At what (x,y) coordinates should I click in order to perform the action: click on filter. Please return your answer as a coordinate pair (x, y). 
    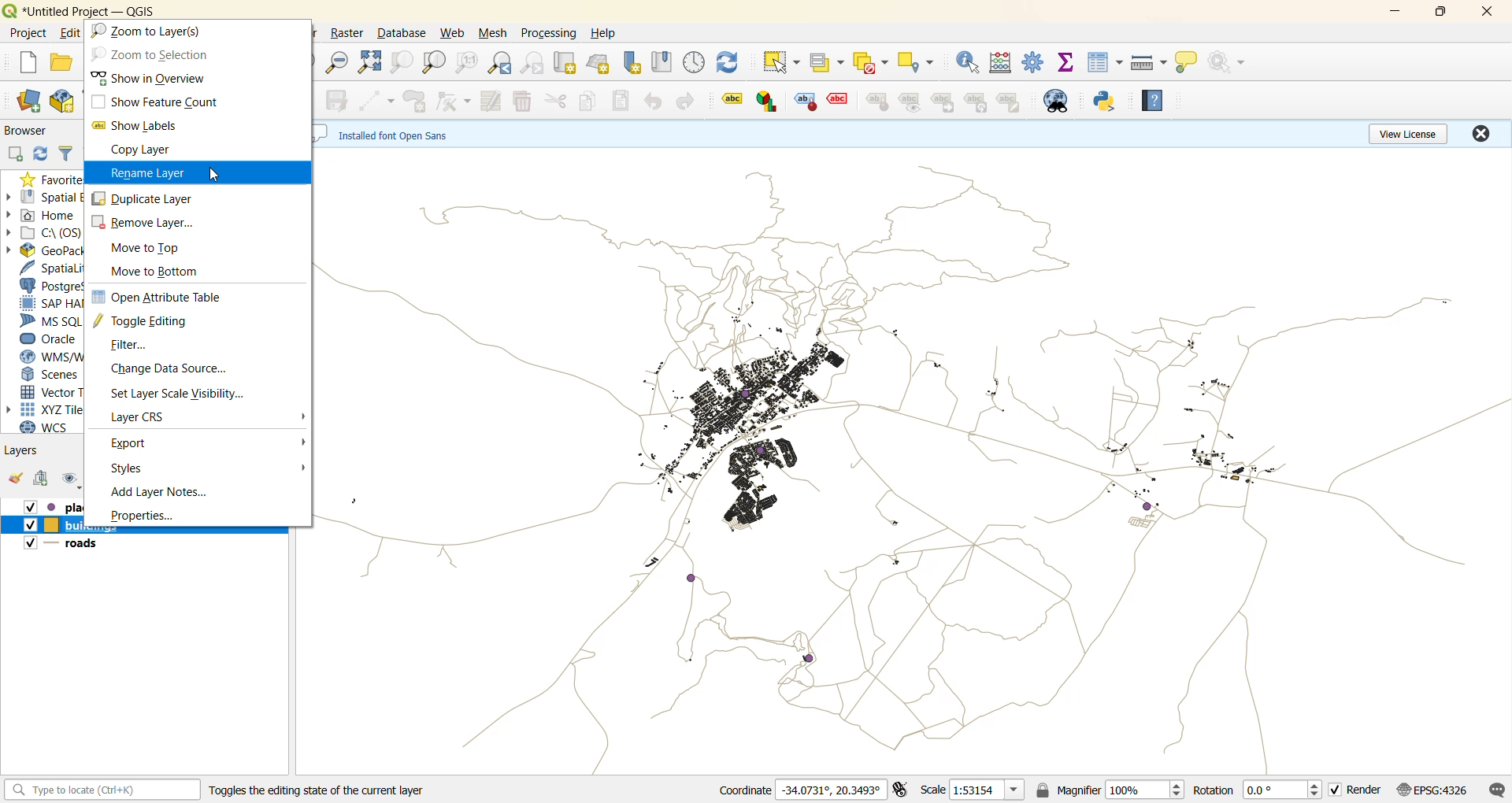
    Looking at the image, I should click on (135, 346).